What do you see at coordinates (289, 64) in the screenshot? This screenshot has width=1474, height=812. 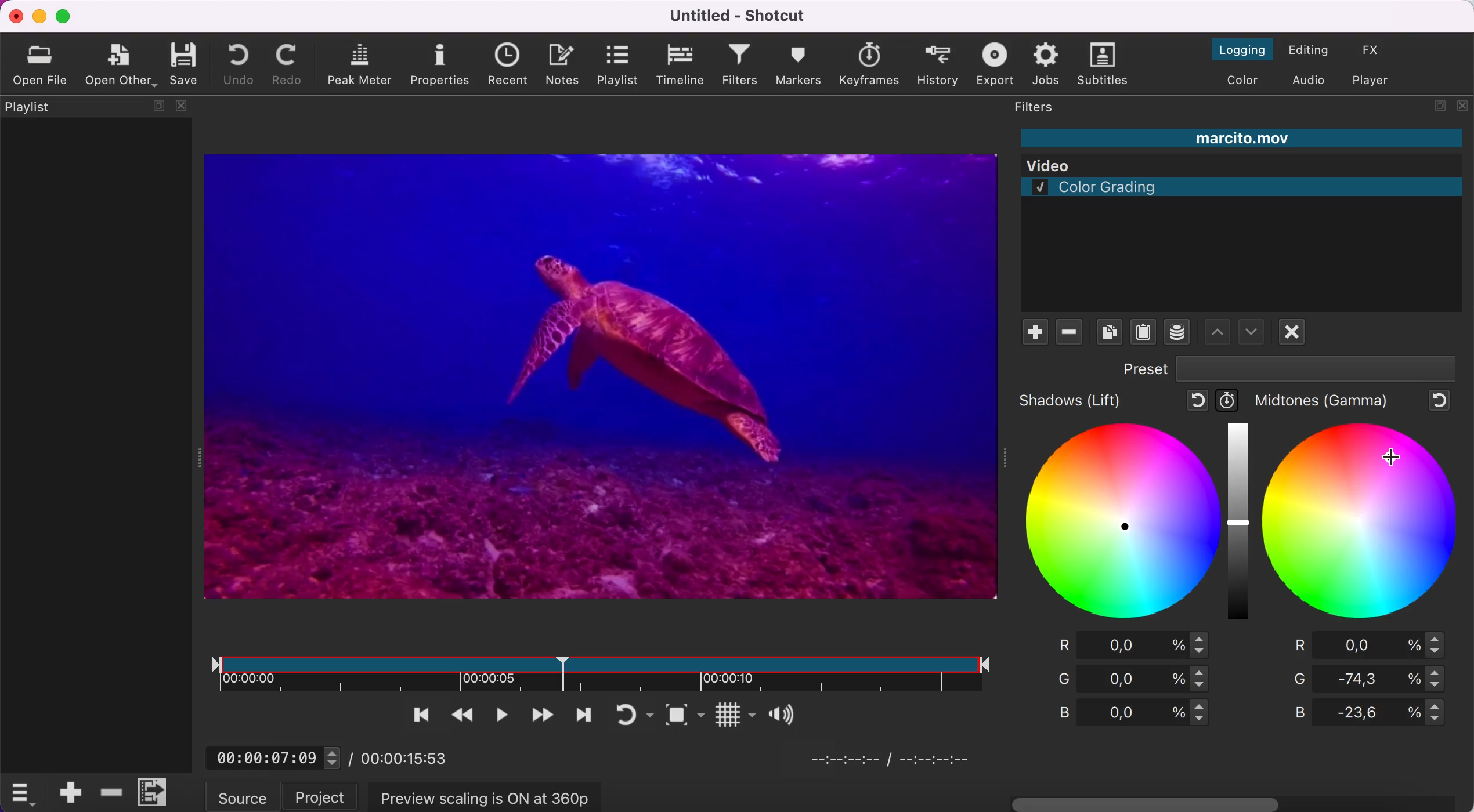 I see `redo` at bounding box center [289, 64].